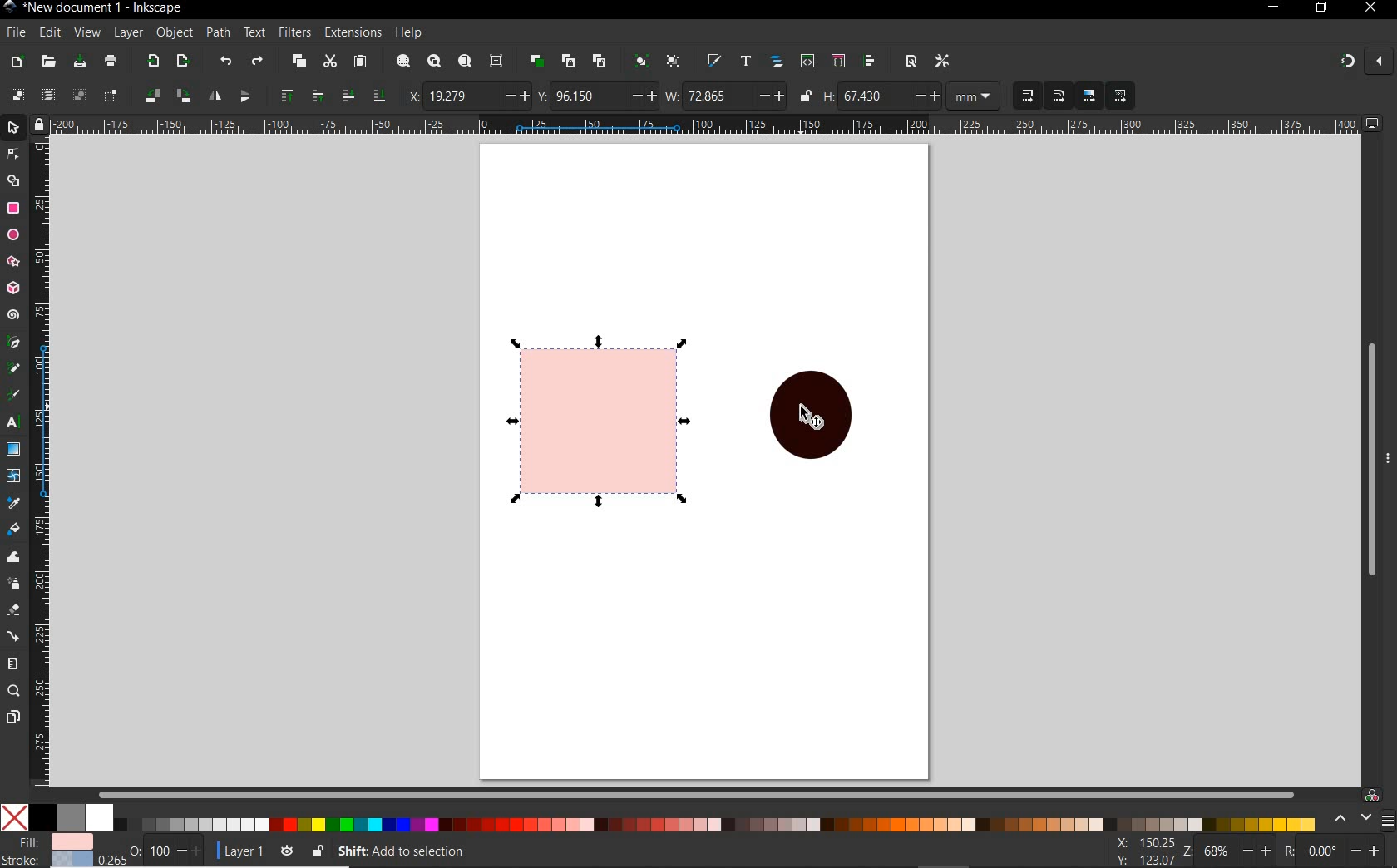 Image resolution: width=1397 pixels, height=868 pixels. I want to click on lower, so click(348, 96).